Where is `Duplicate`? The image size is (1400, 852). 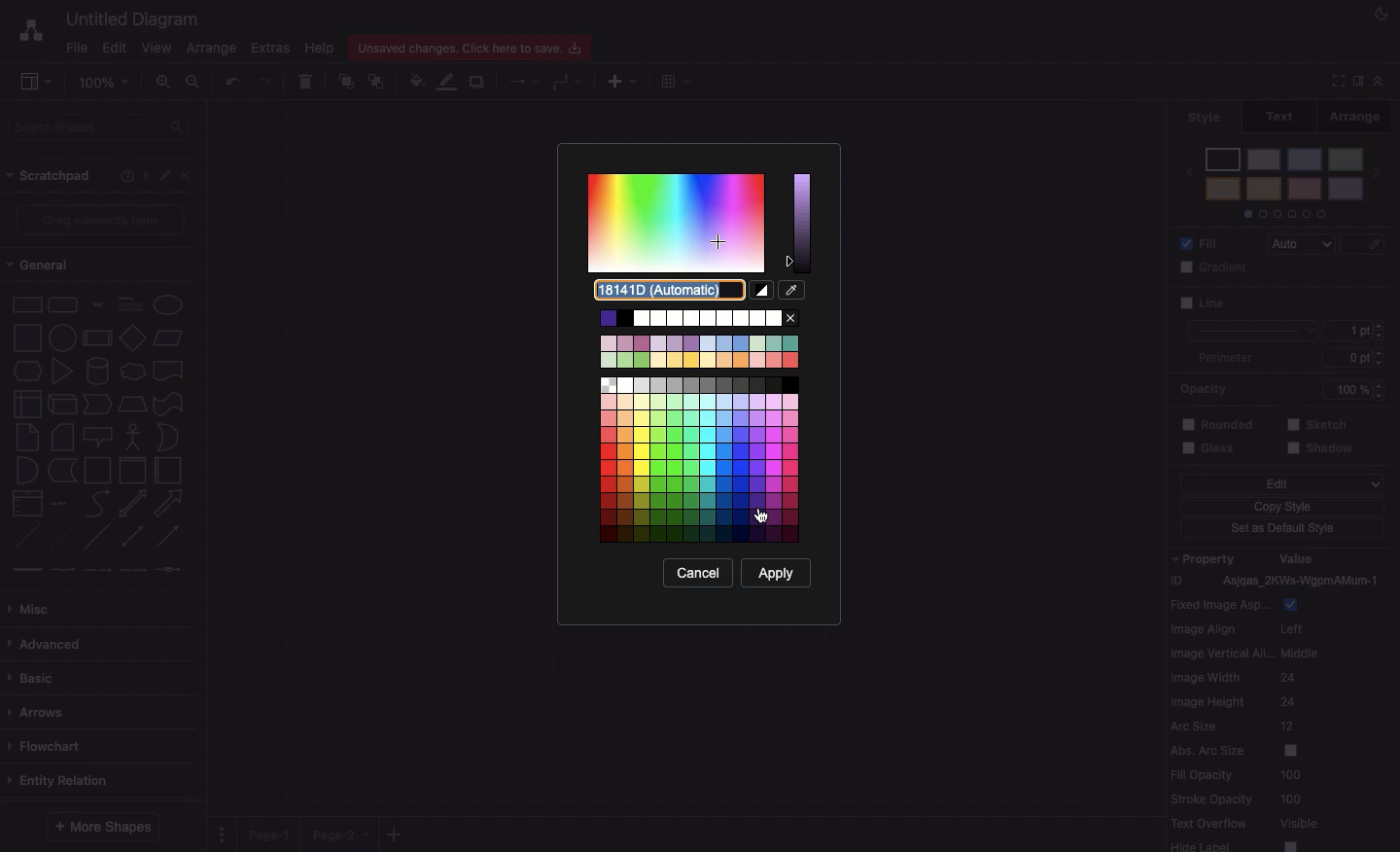 Duplicate is located at coordinates (479, 79).